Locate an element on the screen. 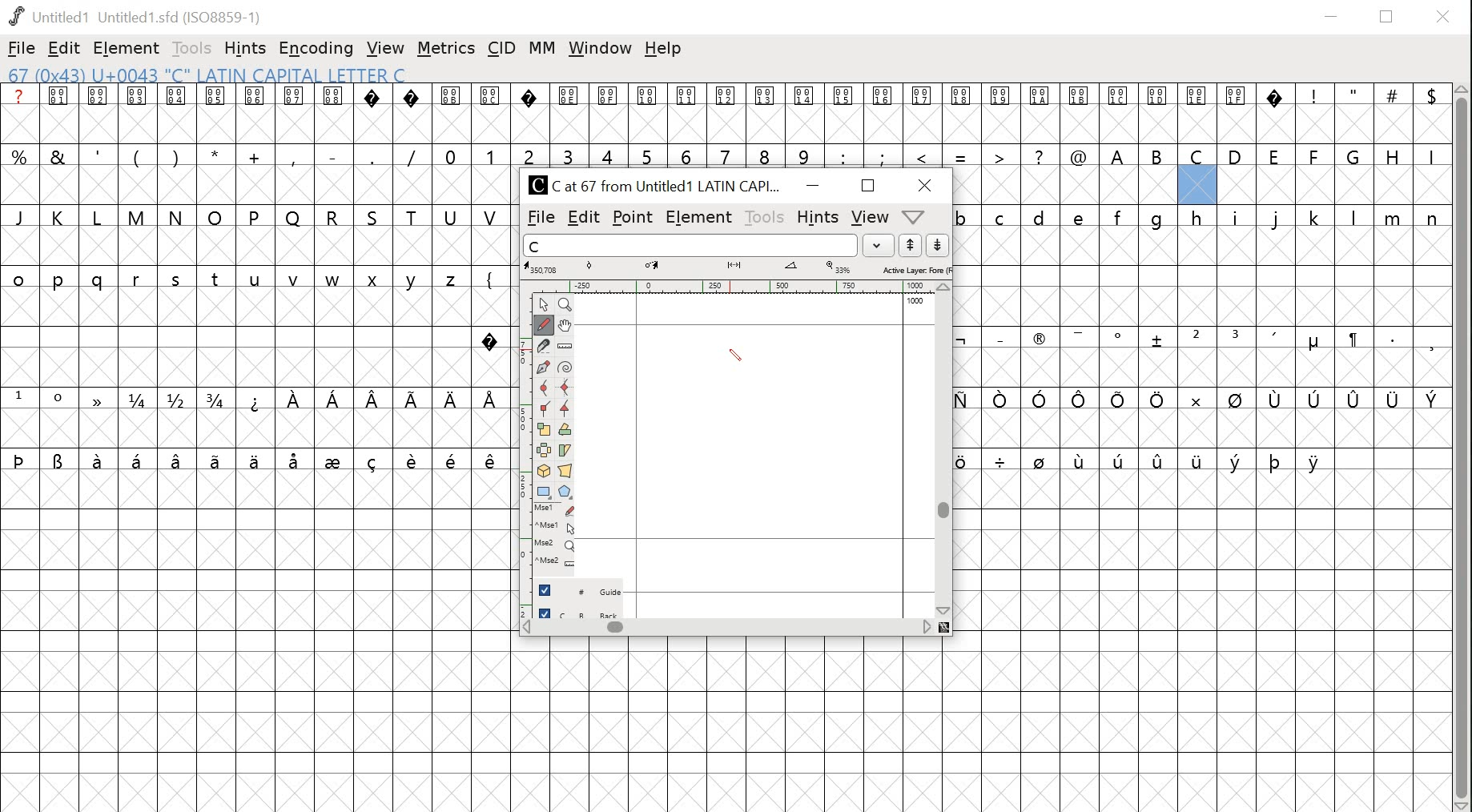  corner is located at coordinates (546, 409).